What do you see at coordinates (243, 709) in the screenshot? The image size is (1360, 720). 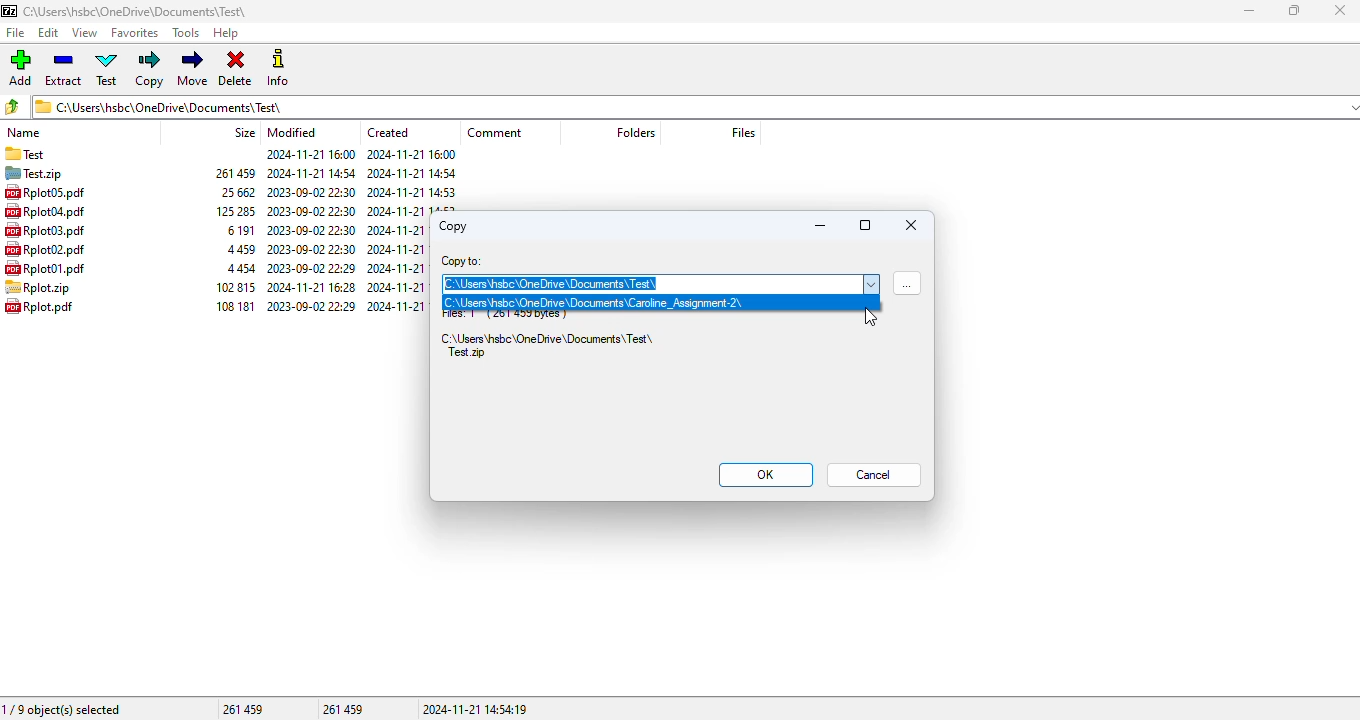 I see `261 459` at bounding box center [243, 709].